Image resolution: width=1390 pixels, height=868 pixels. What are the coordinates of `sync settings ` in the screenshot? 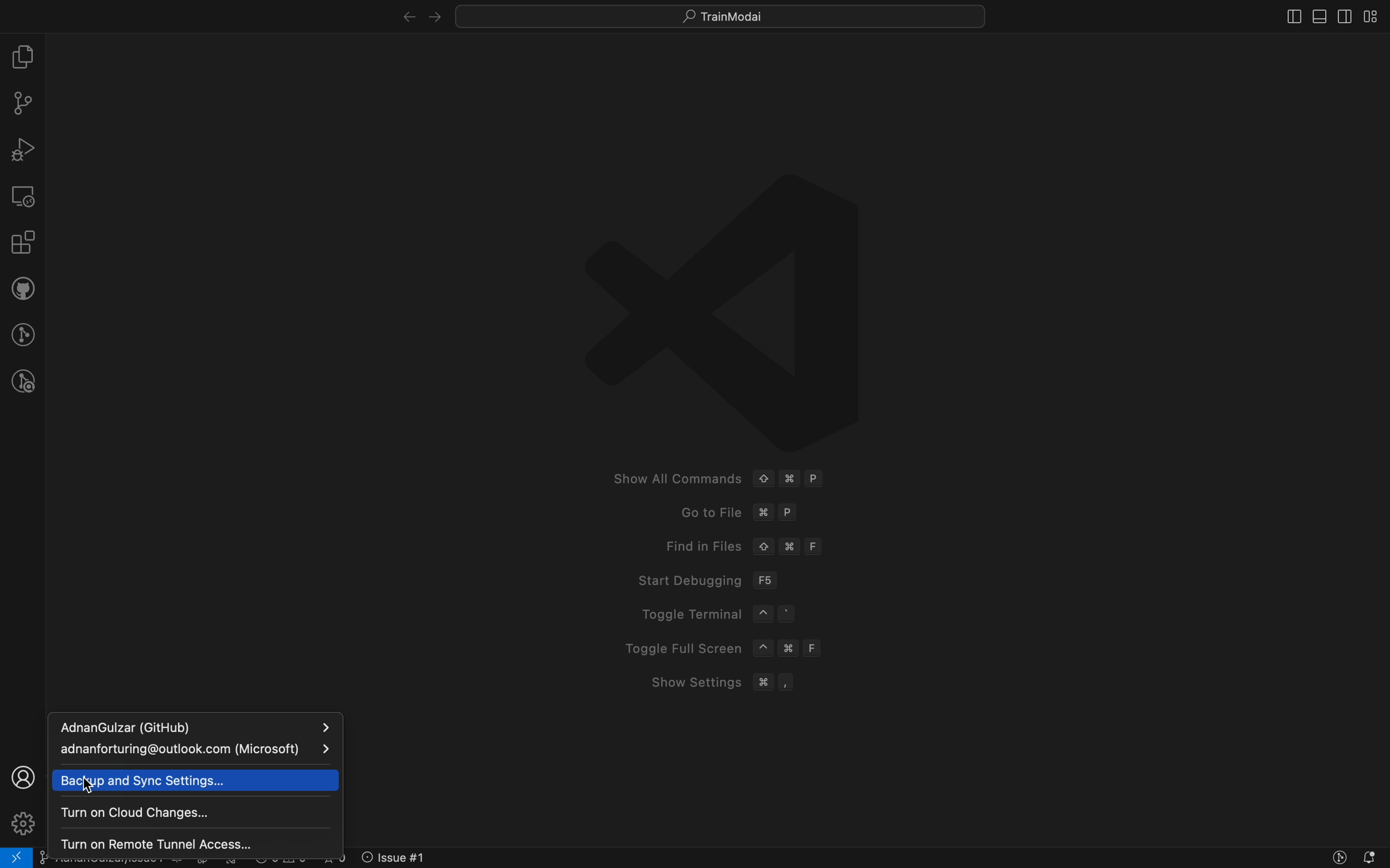 It's located at (198, 783).